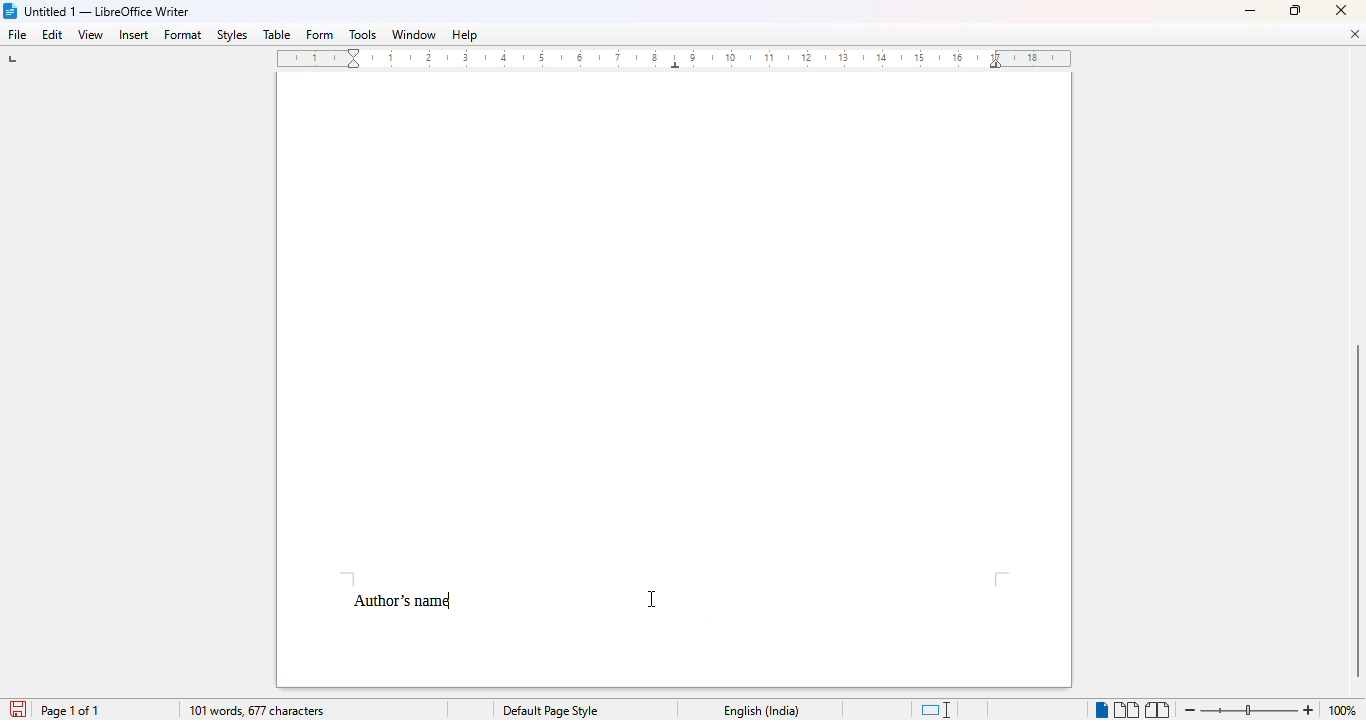 Image resolution: width=1366 pixels, height=720 pixels. What do you see at coordinates (414, 34) in the screenshot?
I see `window` at bounding box center [414, 34].